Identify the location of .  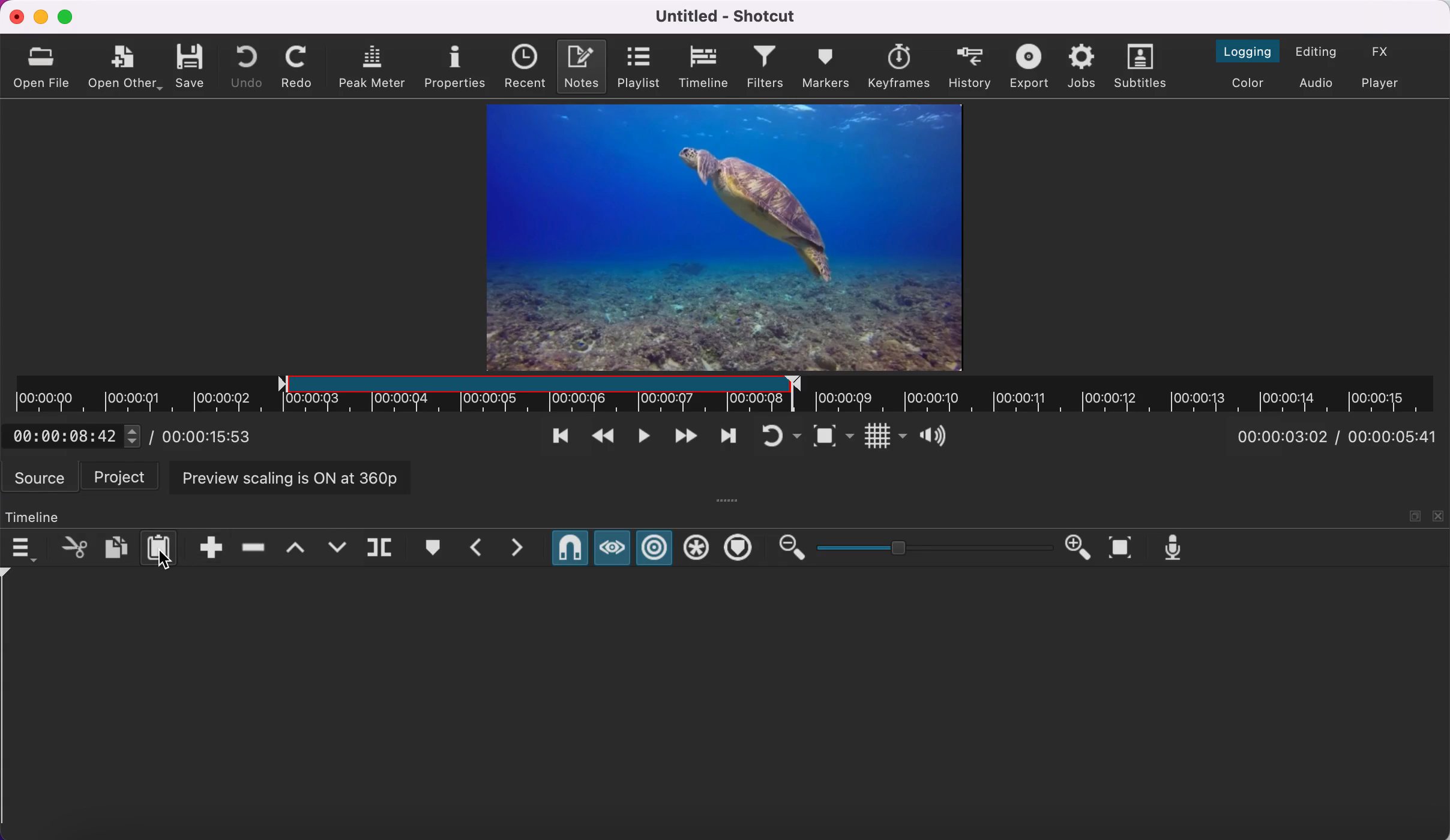
(885, 436).